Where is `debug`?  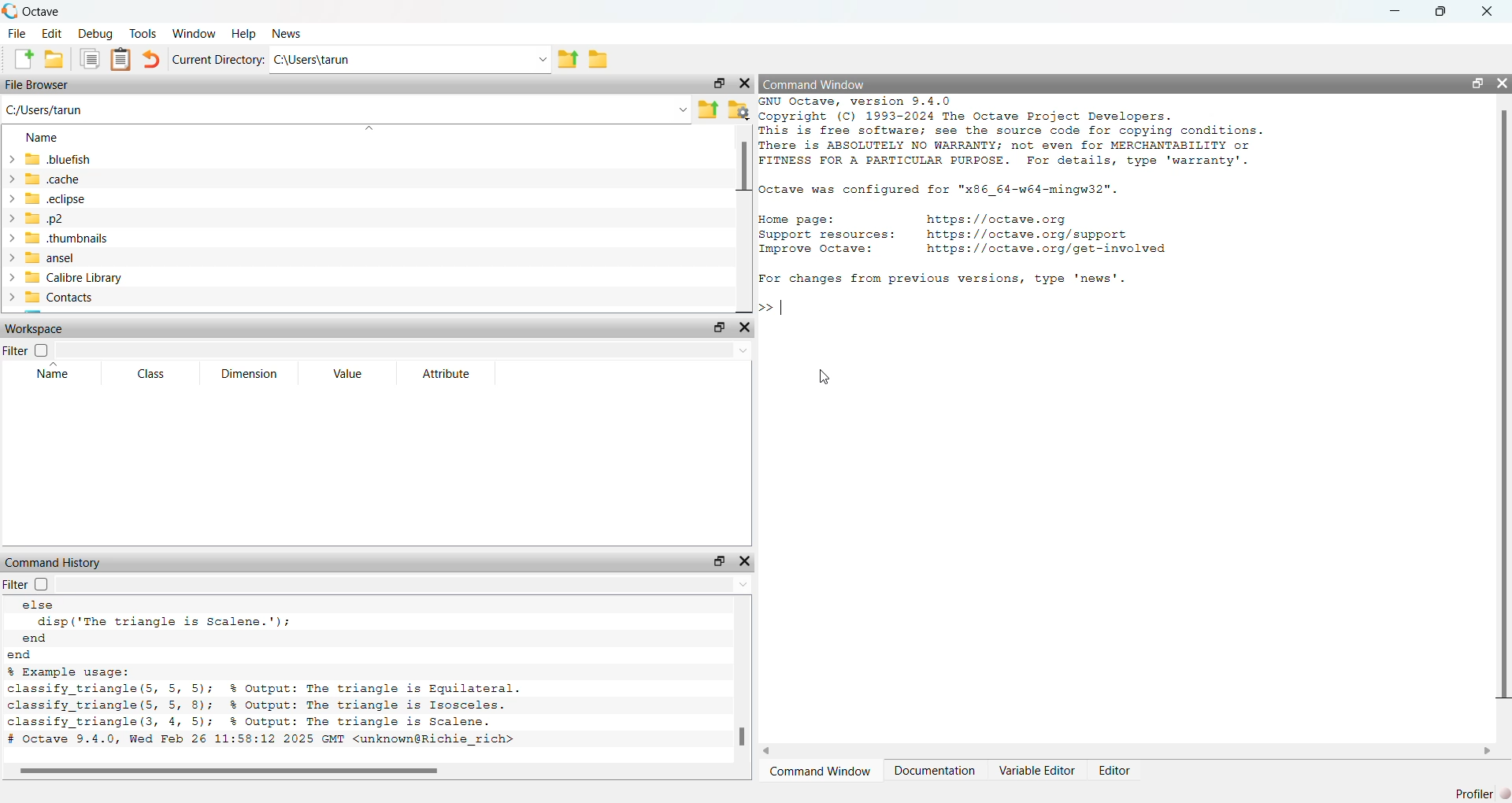 debug is located at coordinates (96, 33).